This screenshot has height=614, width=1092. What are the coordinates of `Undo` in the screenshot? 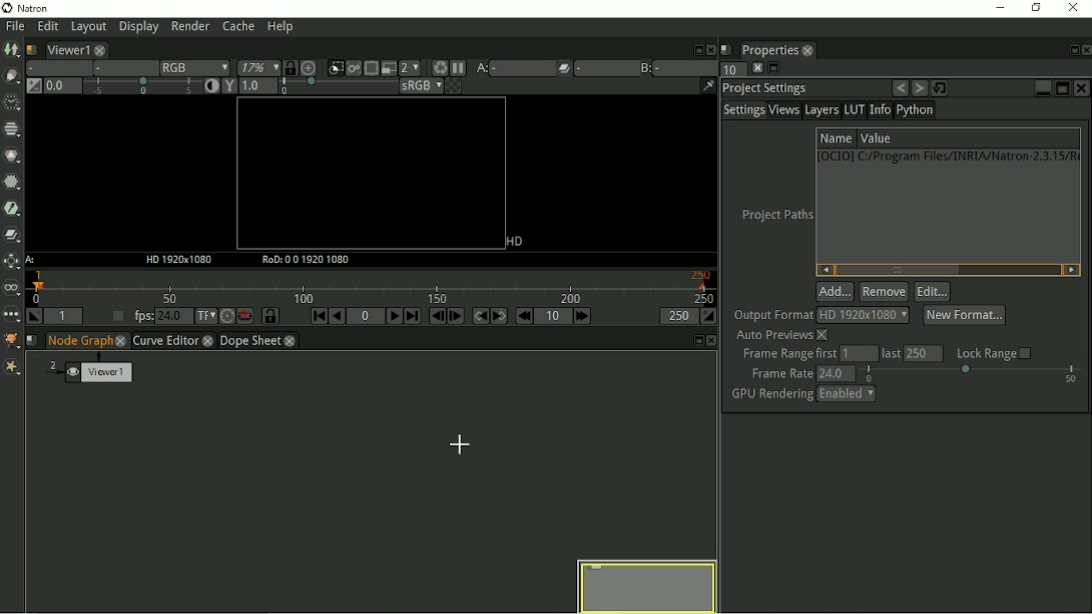 It's located at (900, 88).